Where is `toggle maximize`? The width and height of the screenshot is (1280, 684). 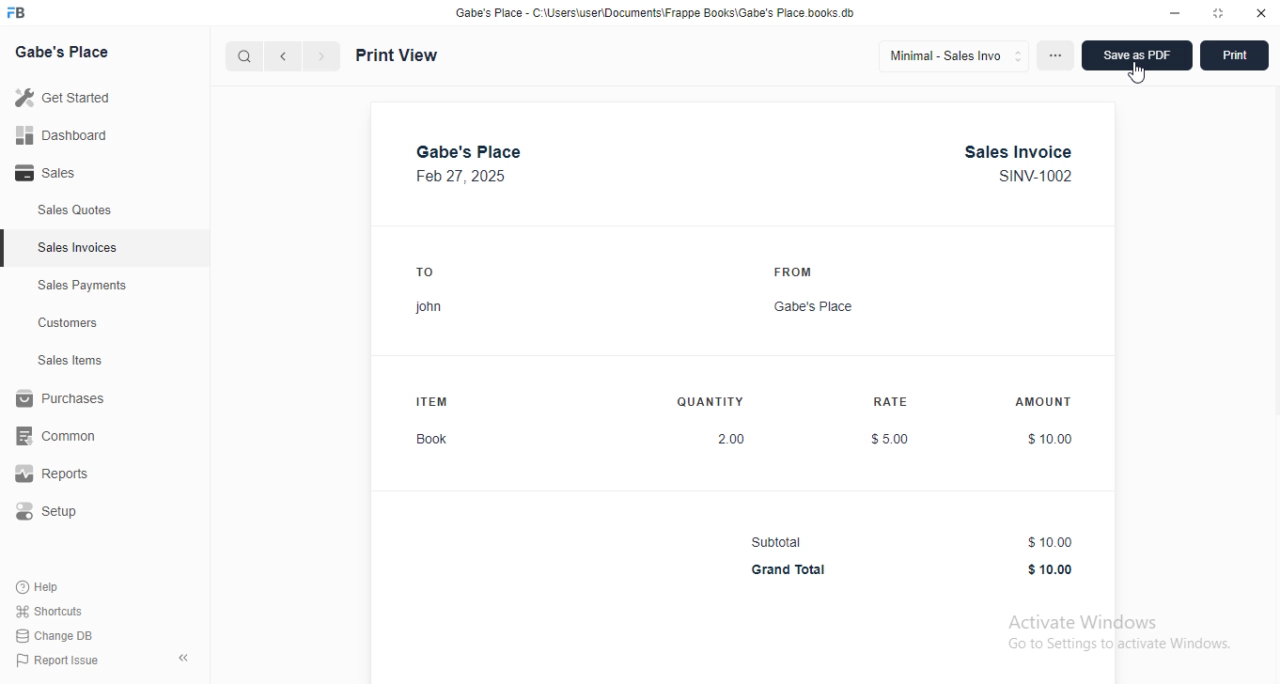
toggle maximize is located at coordinates (1219, 12).